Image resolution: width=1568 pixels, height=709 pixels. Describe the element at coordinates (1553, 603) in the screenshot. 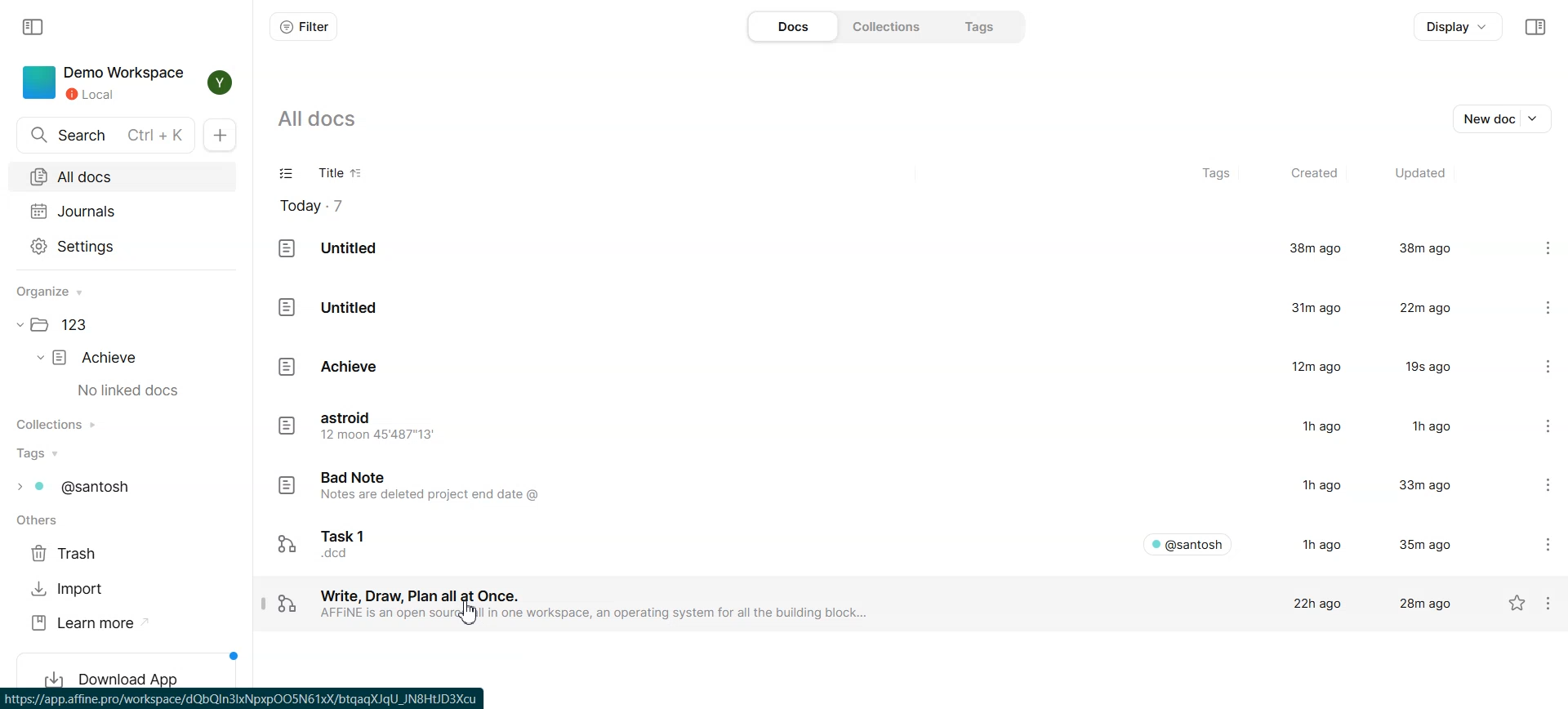

I see `Settings` at that location.